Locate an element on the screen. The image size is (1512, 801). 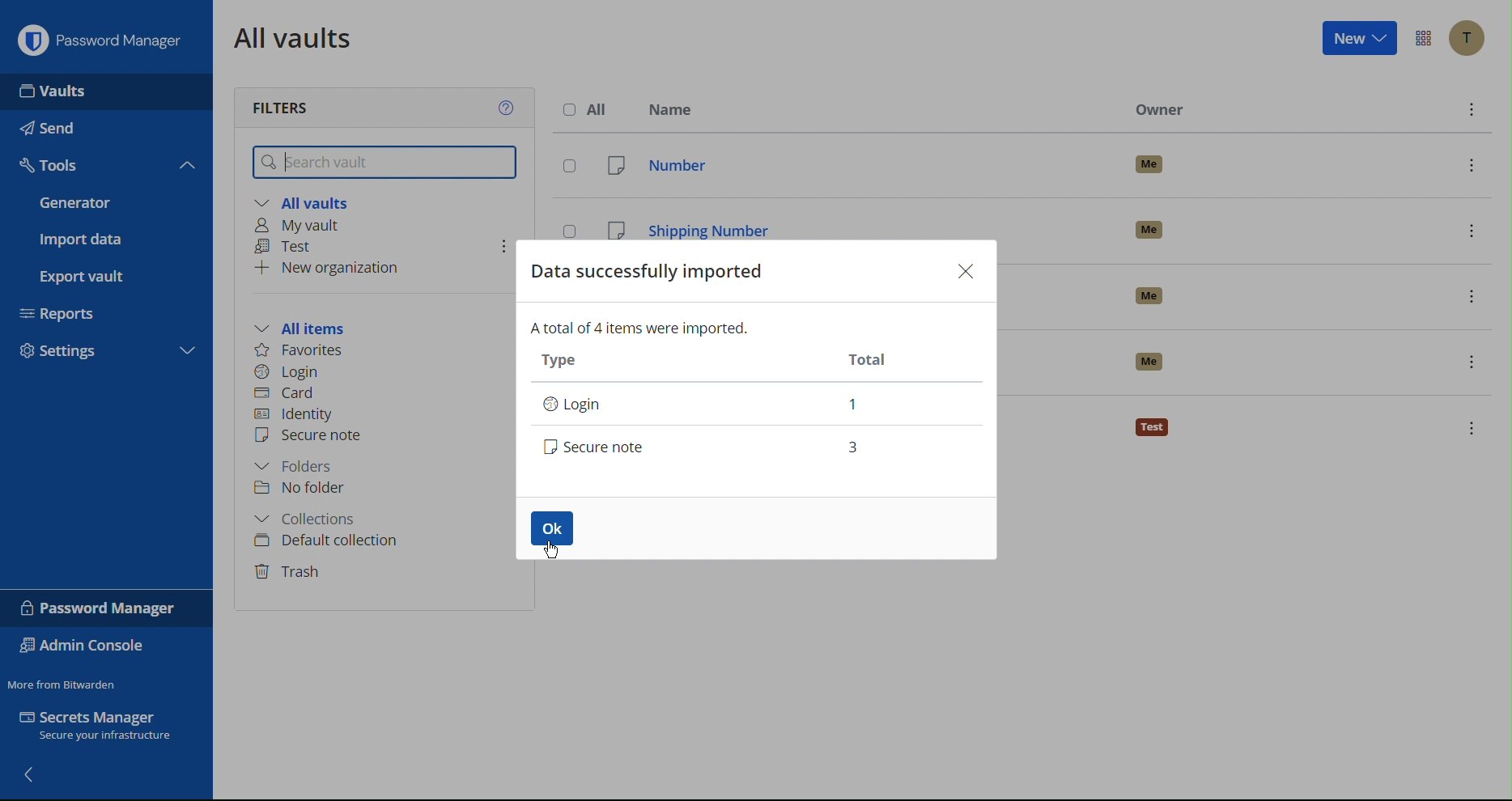
All is located at coordinates (590, 109).